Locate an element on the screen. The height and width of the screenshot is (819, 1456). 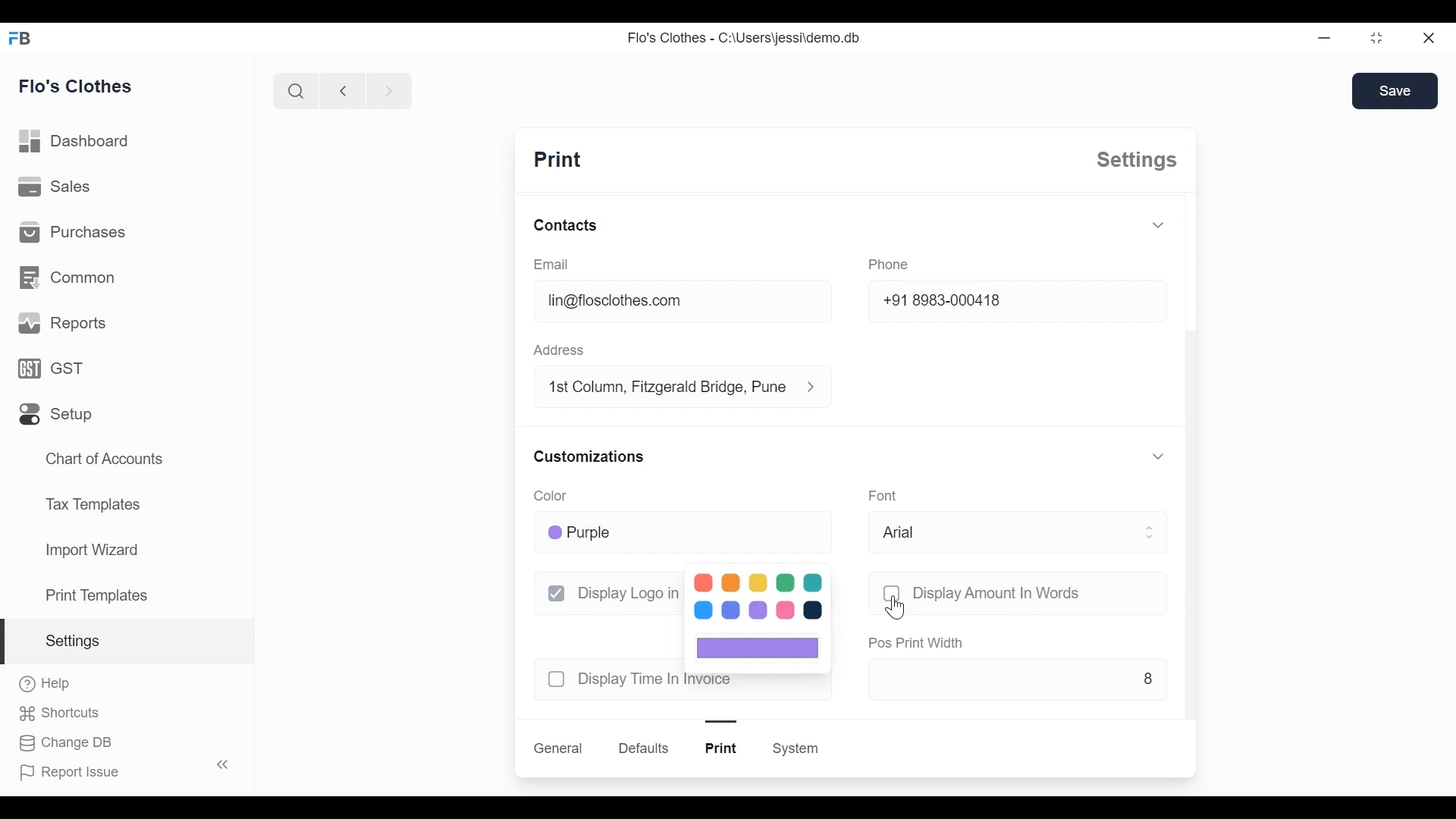
general is located at coordinates (559, 748).